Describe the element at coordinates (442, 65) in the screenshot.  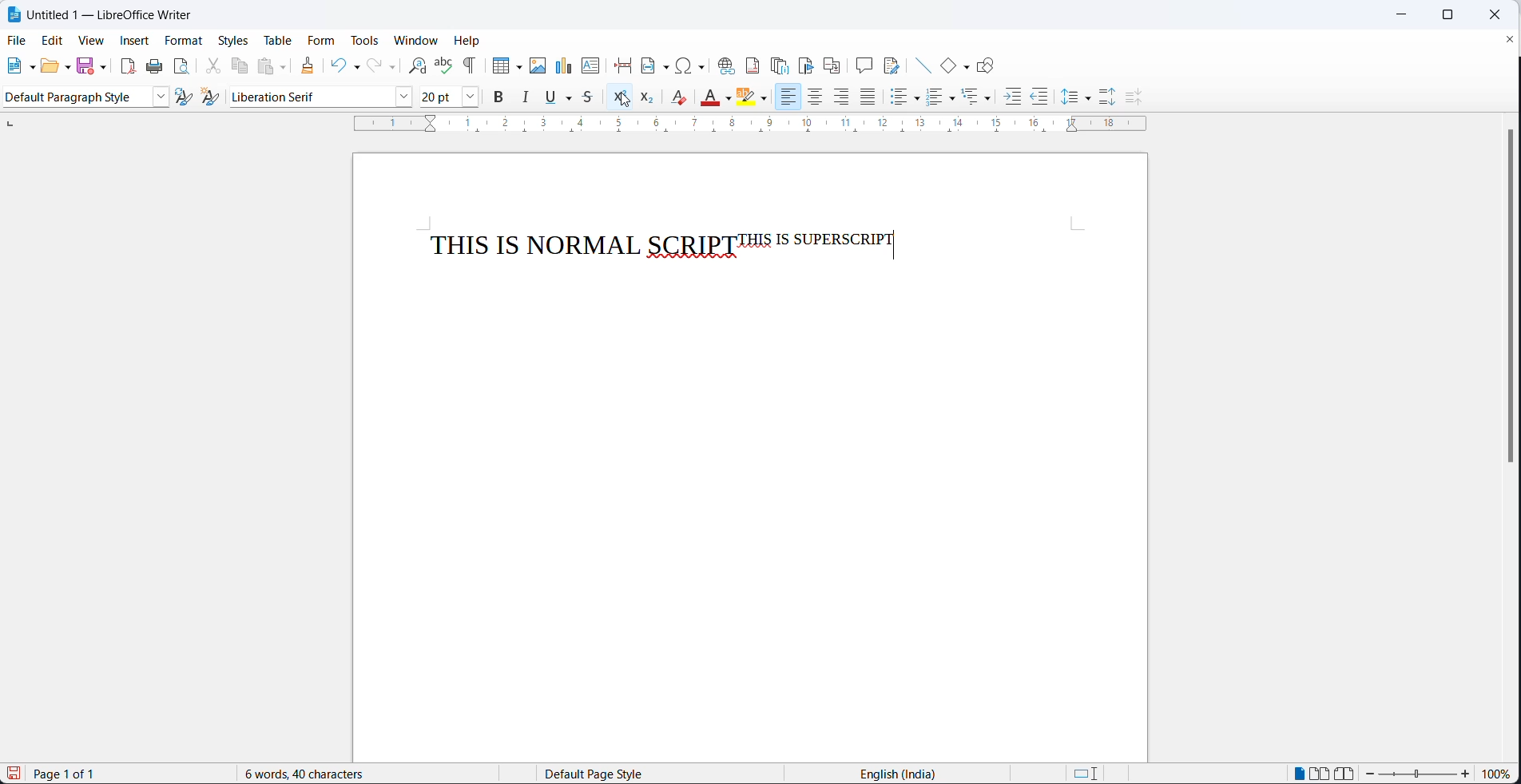
I see `spellings` at that location.